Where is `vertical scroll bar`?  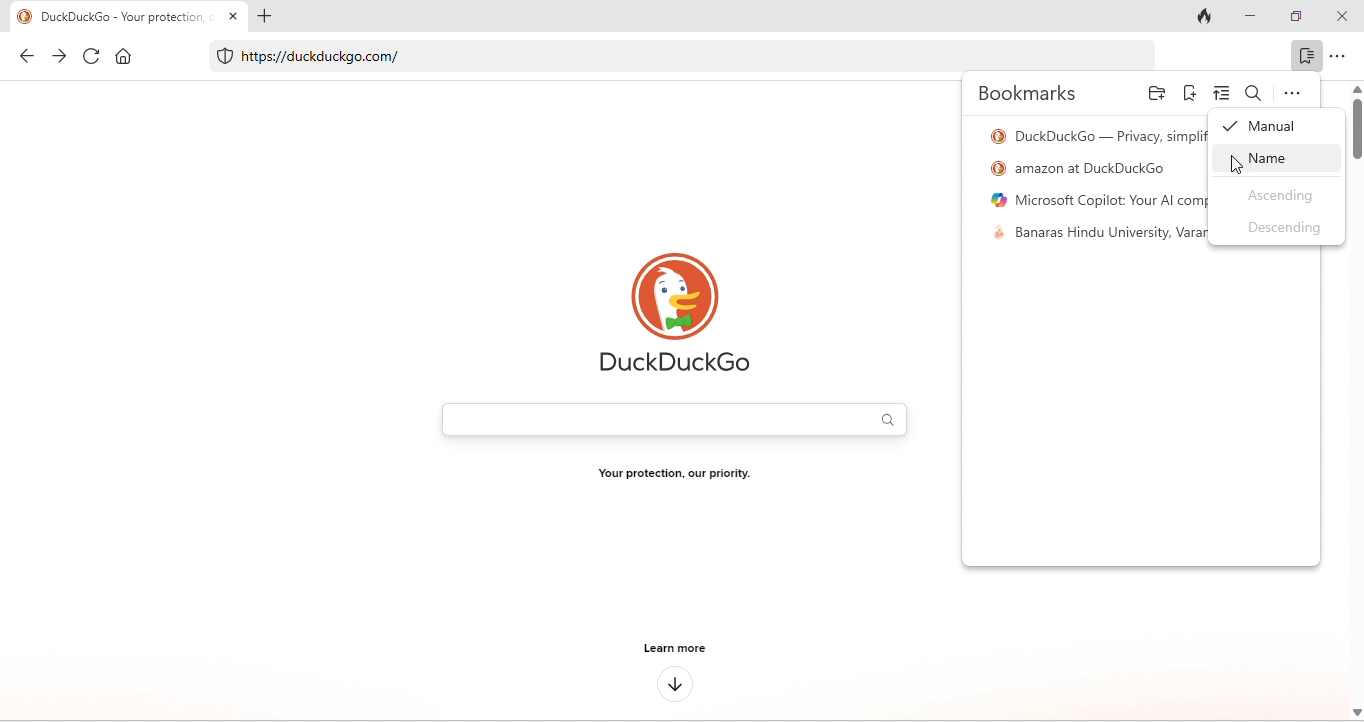 vertical scroll bar is located at coordinates (1355, 126).